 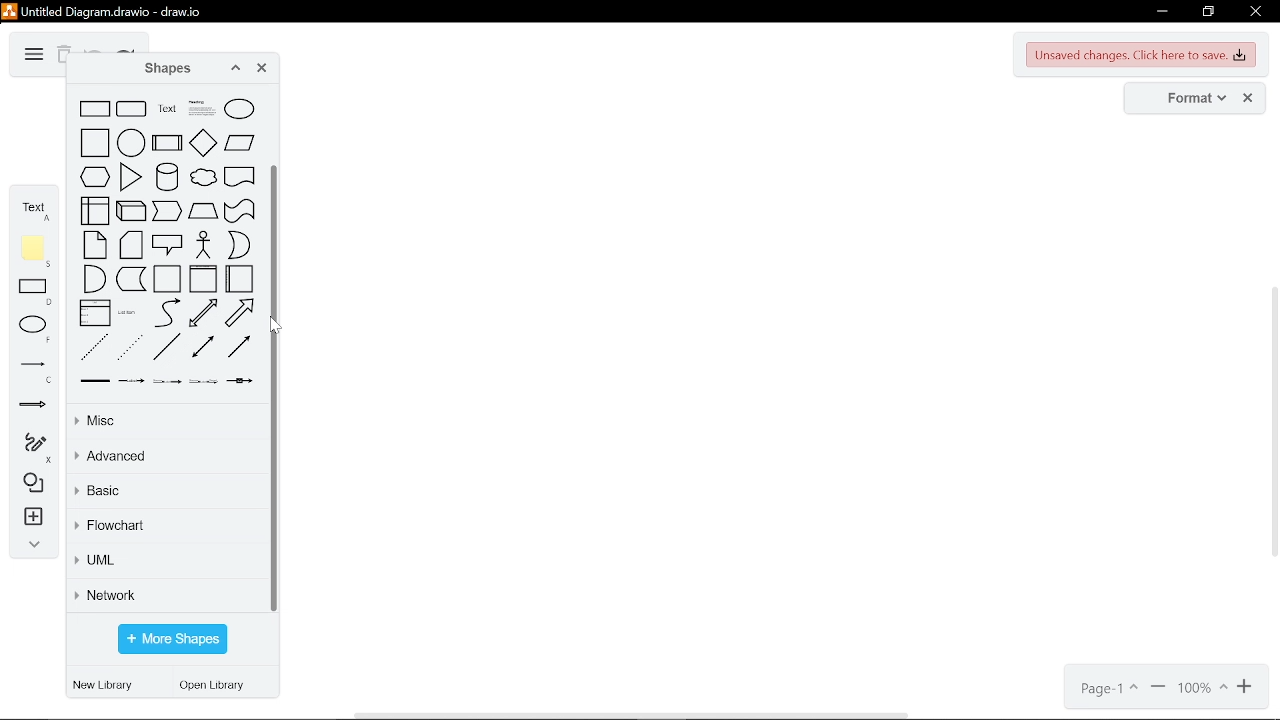 What do you see at coordinates (167, 109) in the screenshot?
I see `text` at bounding box center [167, 109].